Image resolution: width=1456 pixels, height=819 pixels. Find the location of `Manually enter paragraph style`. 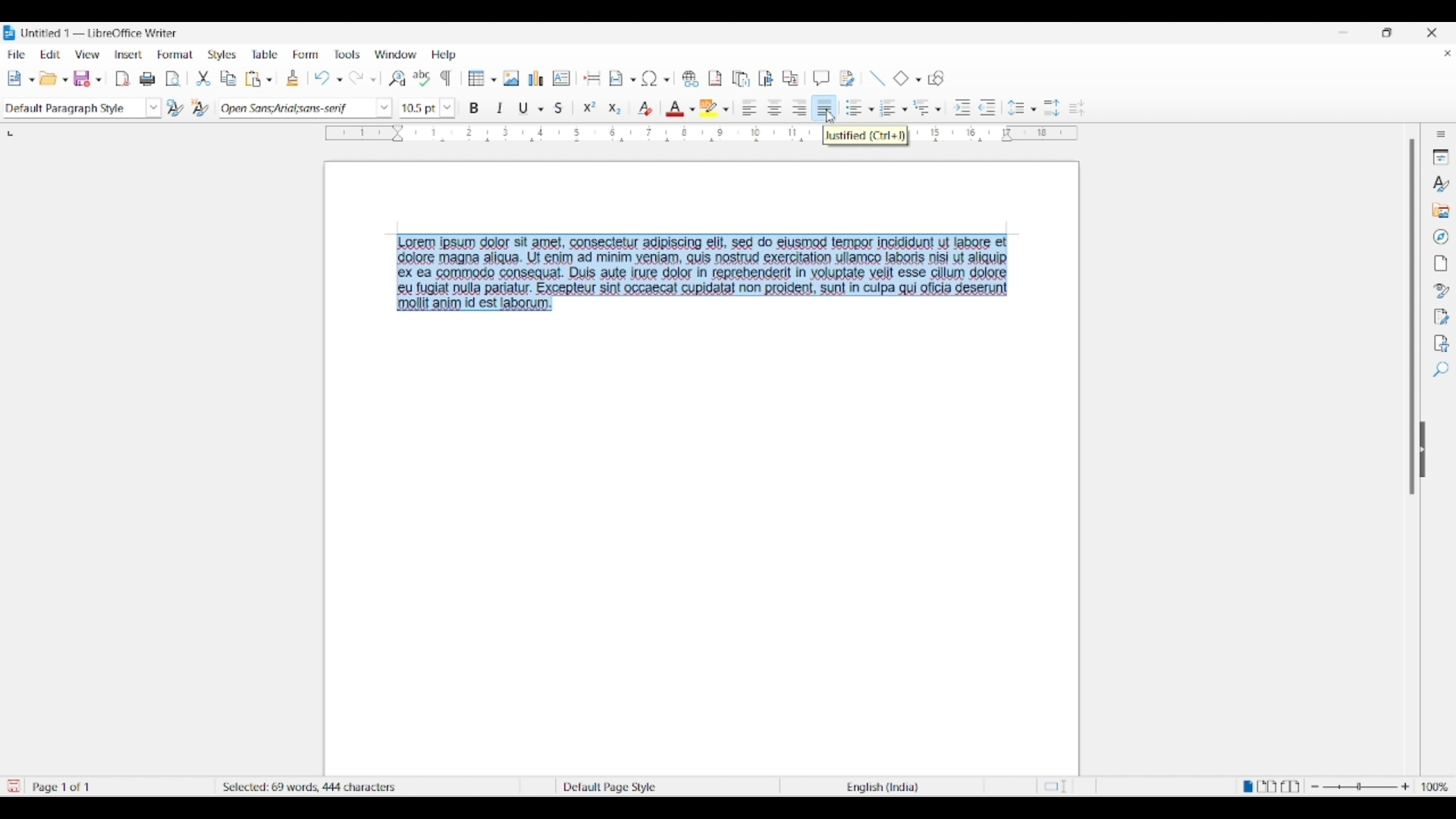

Manually enter paragraph style is located at coordinates (72, 108).